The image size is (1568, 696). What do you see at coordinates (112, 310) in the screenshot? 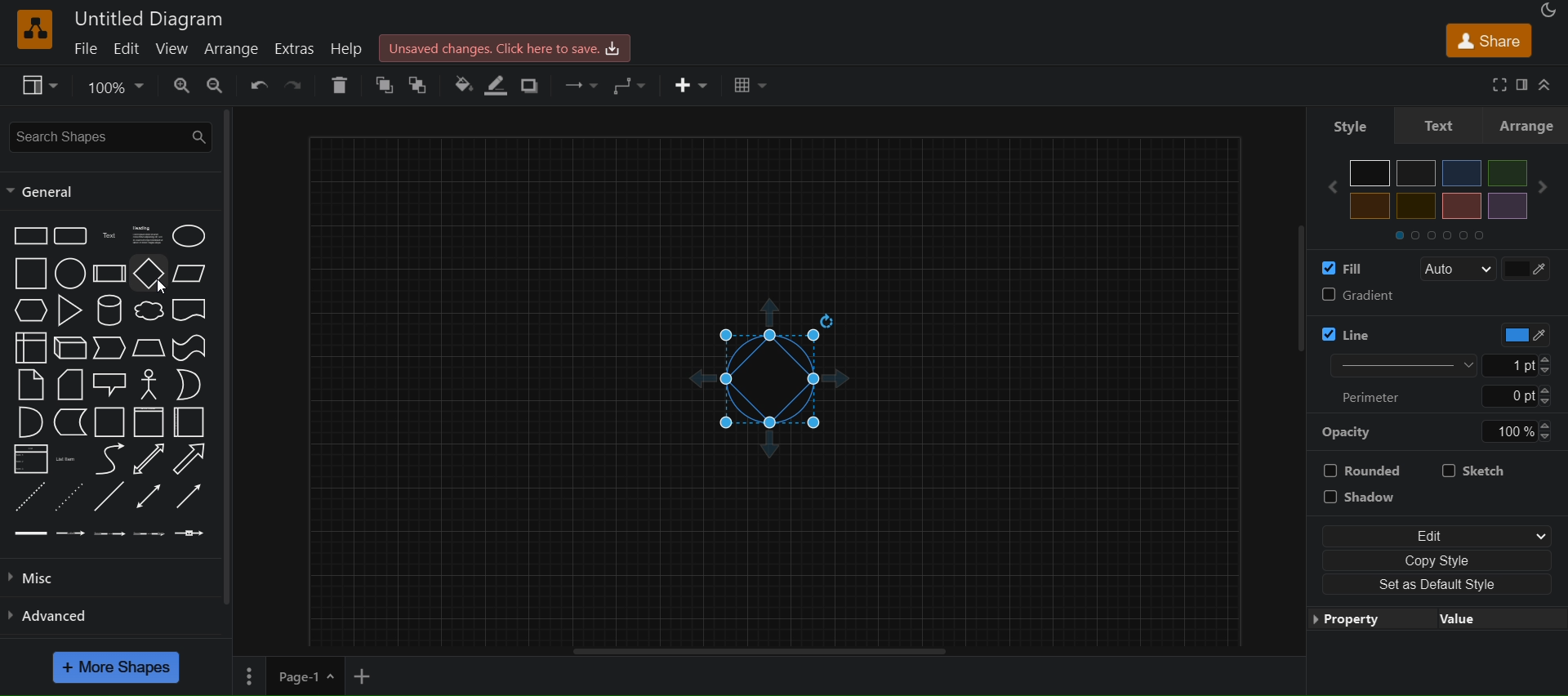
I see `cylinder` at bounding box center [112, 310].